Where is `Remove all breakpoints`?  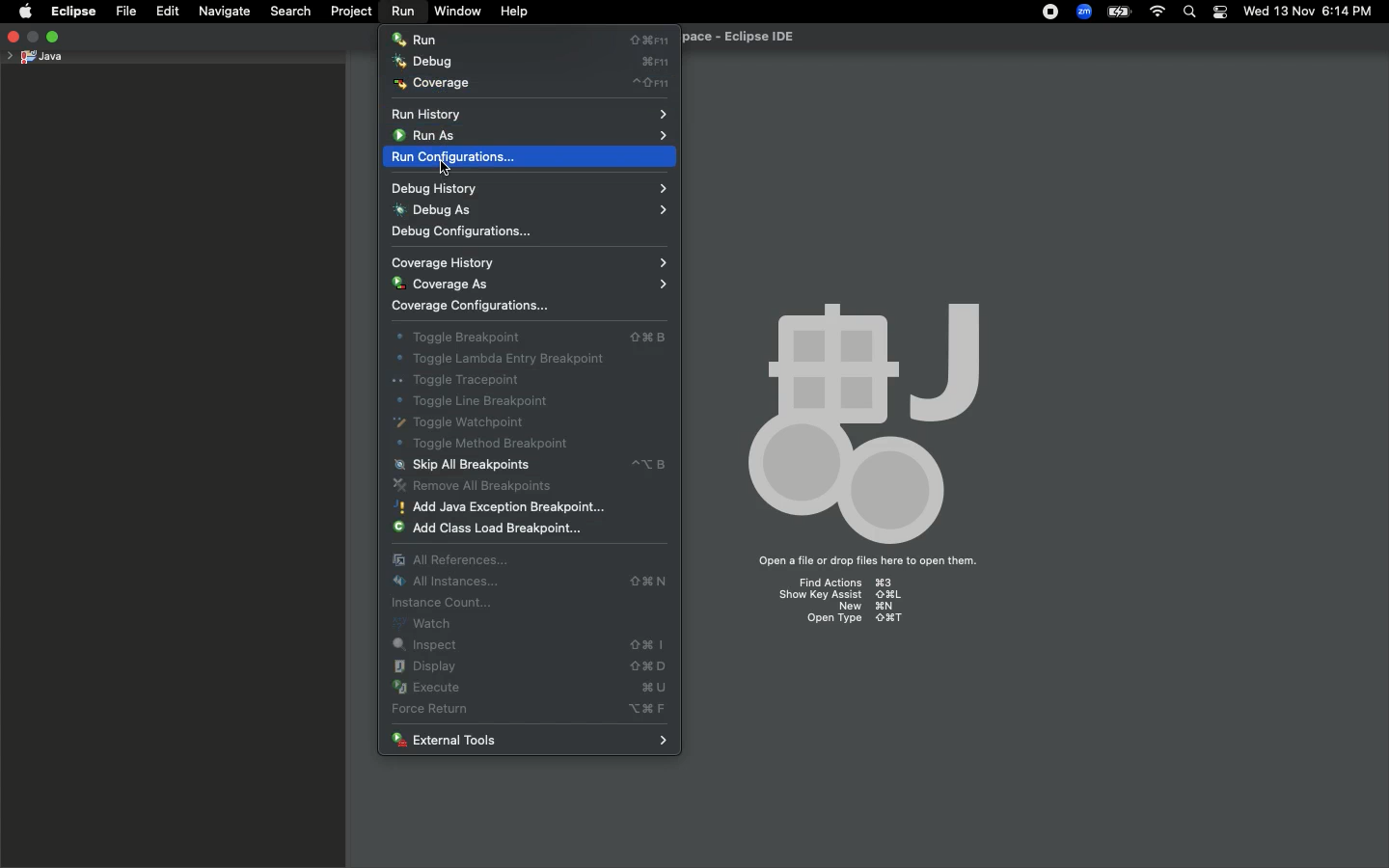 Remove all breakpoints is located at coordinates (471, 486).